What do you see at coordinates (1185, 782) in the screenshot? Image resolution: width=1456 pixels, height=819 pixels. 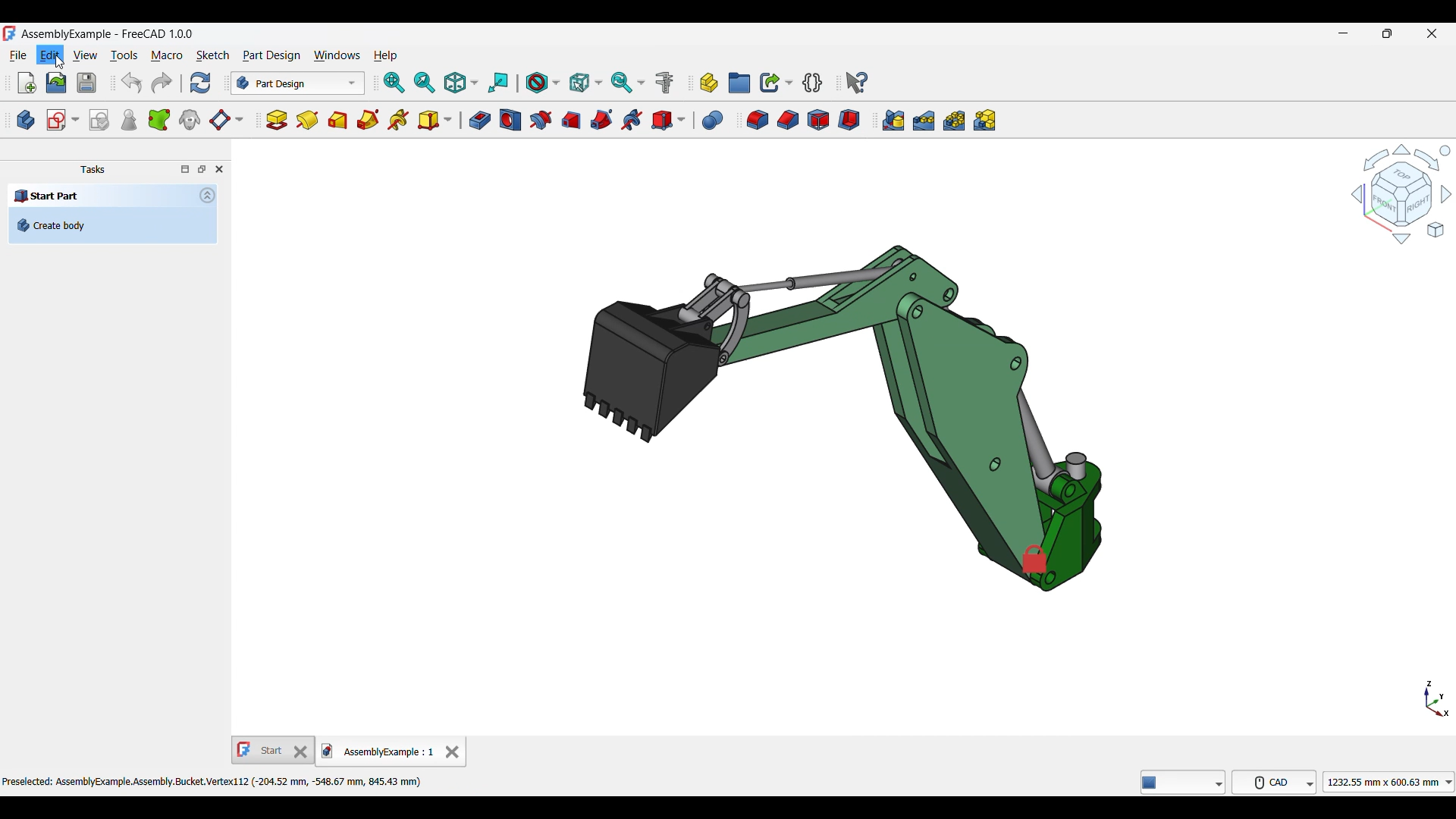 I see `freeCAD tools` at bounding box center [1185, 782].